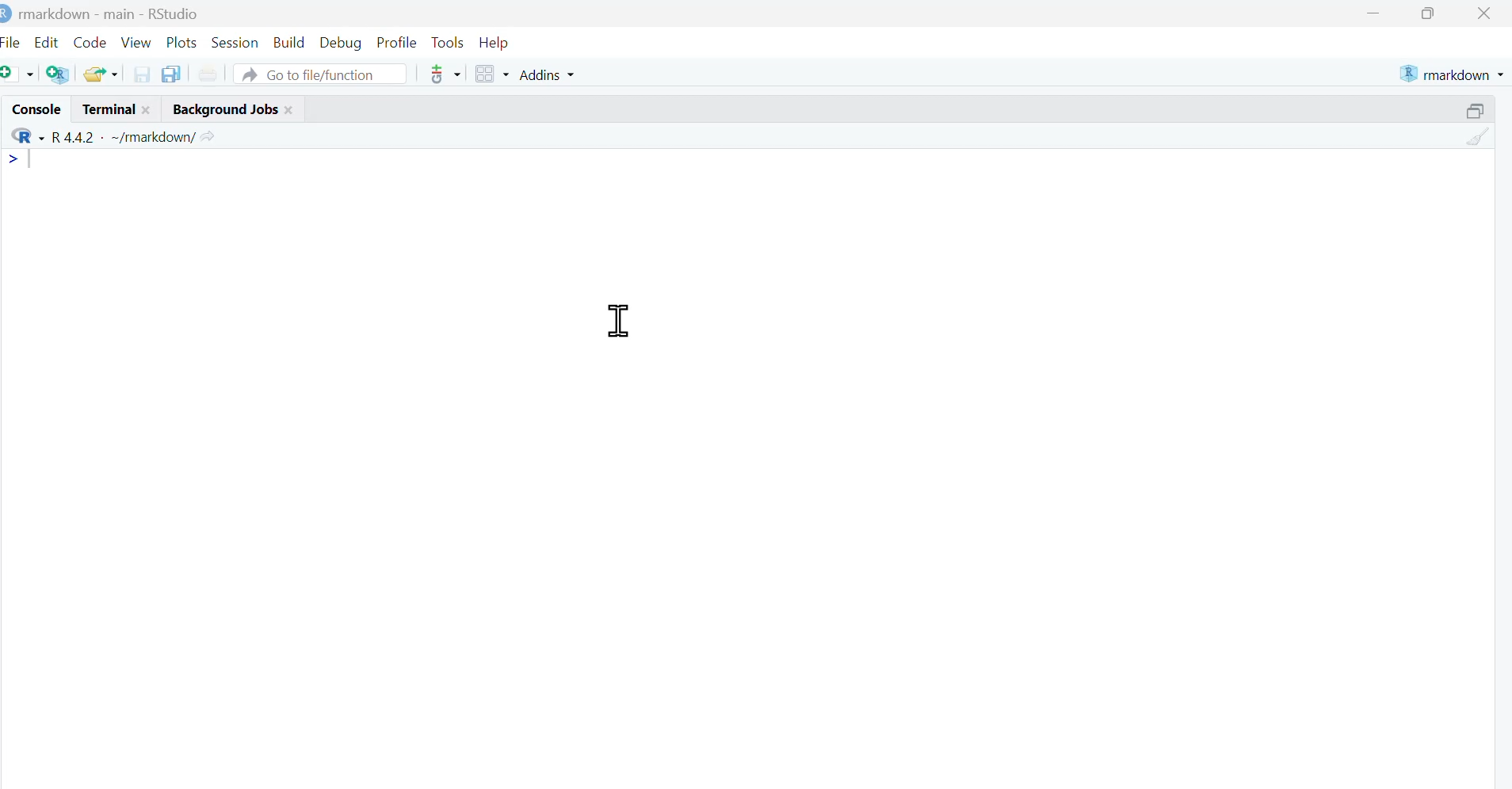 The width and height of the screenshot is (1512, 789). What do you see at coordinates (492, 74) in the screenshot?
I see `workspace panes` at bounding box center [492, 74].